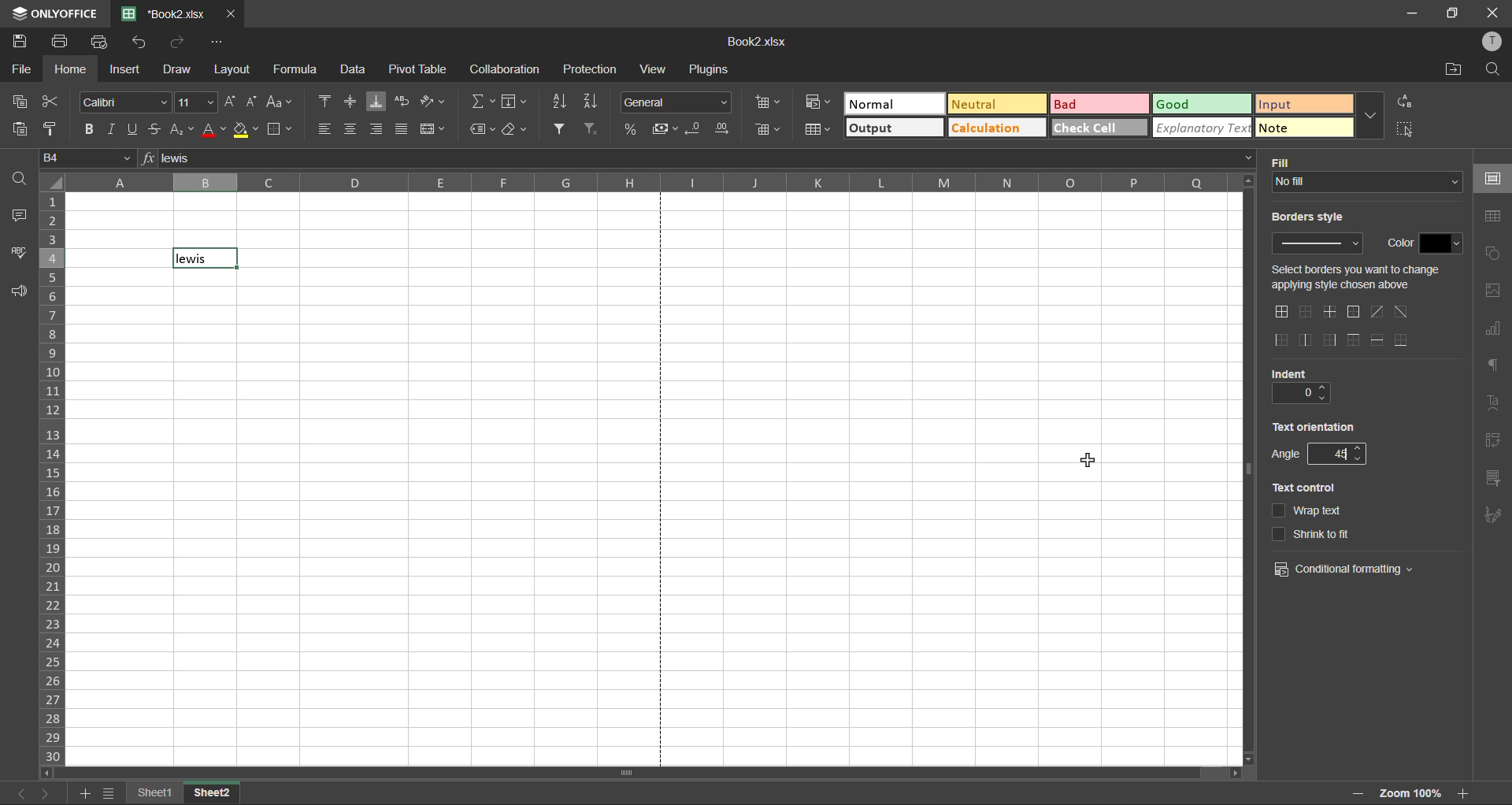 The width and height of the screenshot is (1512, 805). Describe the element at coordinates (1380, 339) in the screenshot. I see `horizontal inner lines only` at that location.